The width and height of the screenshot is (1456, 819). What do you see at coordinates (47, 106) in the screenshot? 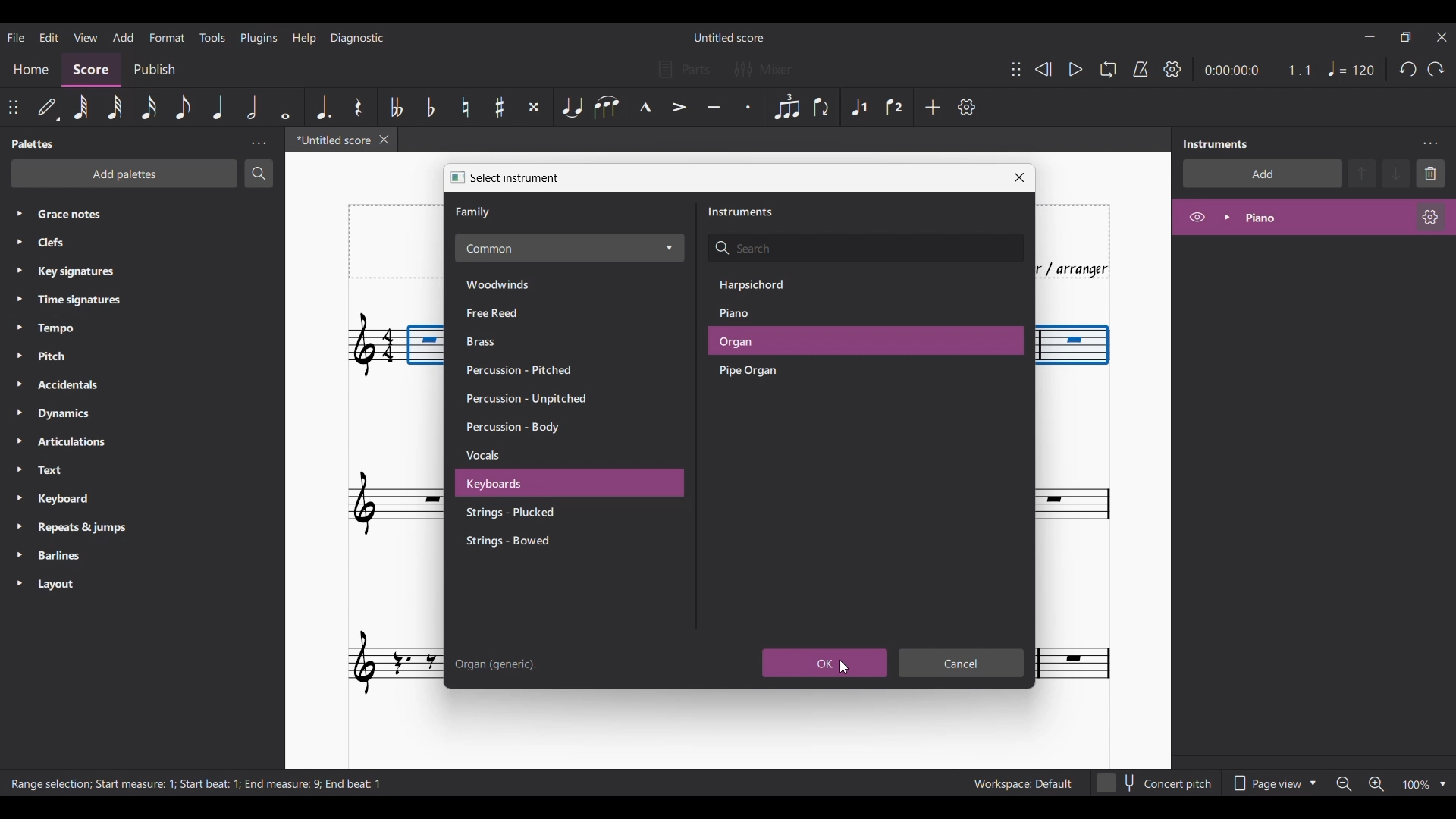
I see `Default` at bounding box center [47, 106].